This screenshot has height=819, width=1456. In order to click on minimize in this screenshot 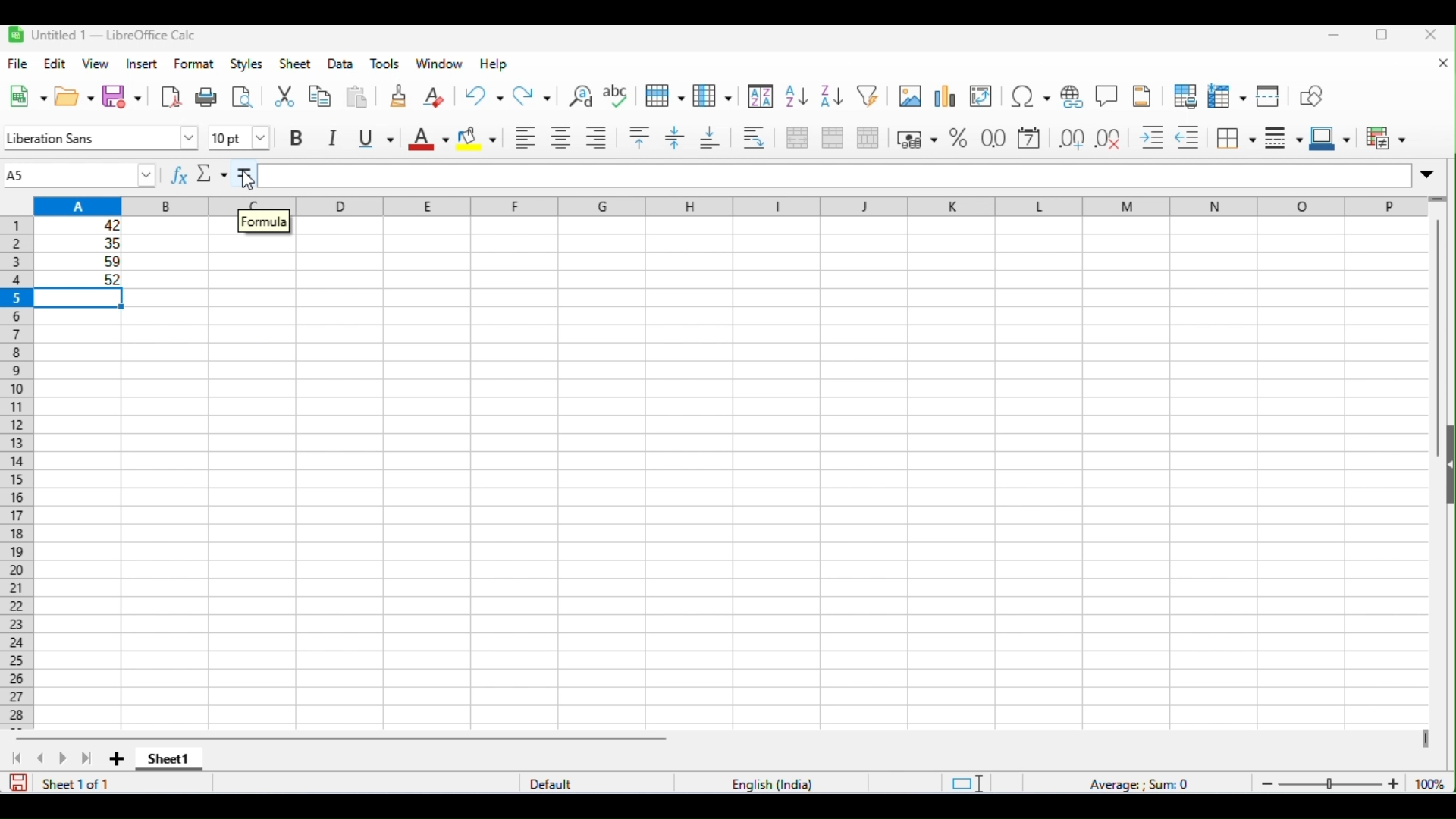, I will do `click(1334, 36)`.